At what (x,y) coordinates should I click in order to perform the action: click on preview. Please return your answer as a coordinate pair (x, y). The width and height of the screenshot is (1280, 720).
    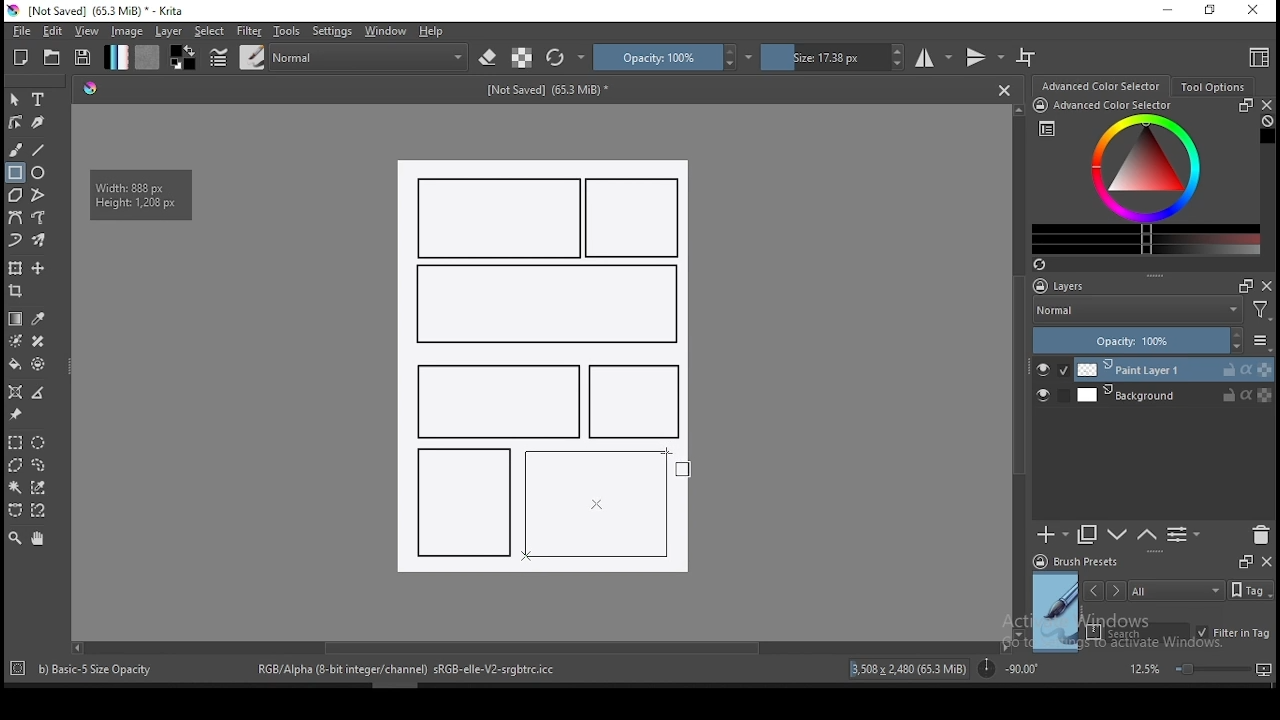
    Looking at the image, I should click on (1056, 612).